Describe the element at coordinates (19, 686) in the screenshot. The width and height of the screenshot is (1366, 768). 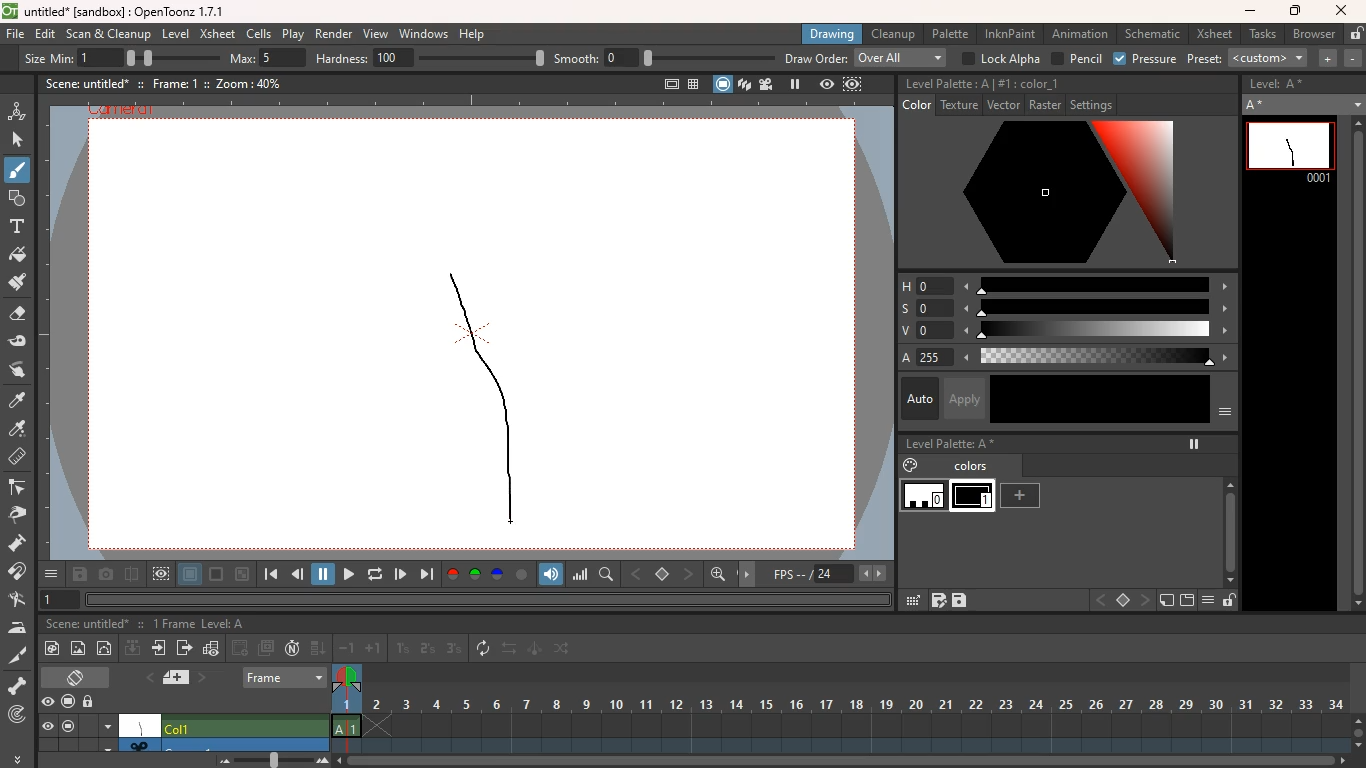
I see `skeleton` at that location.